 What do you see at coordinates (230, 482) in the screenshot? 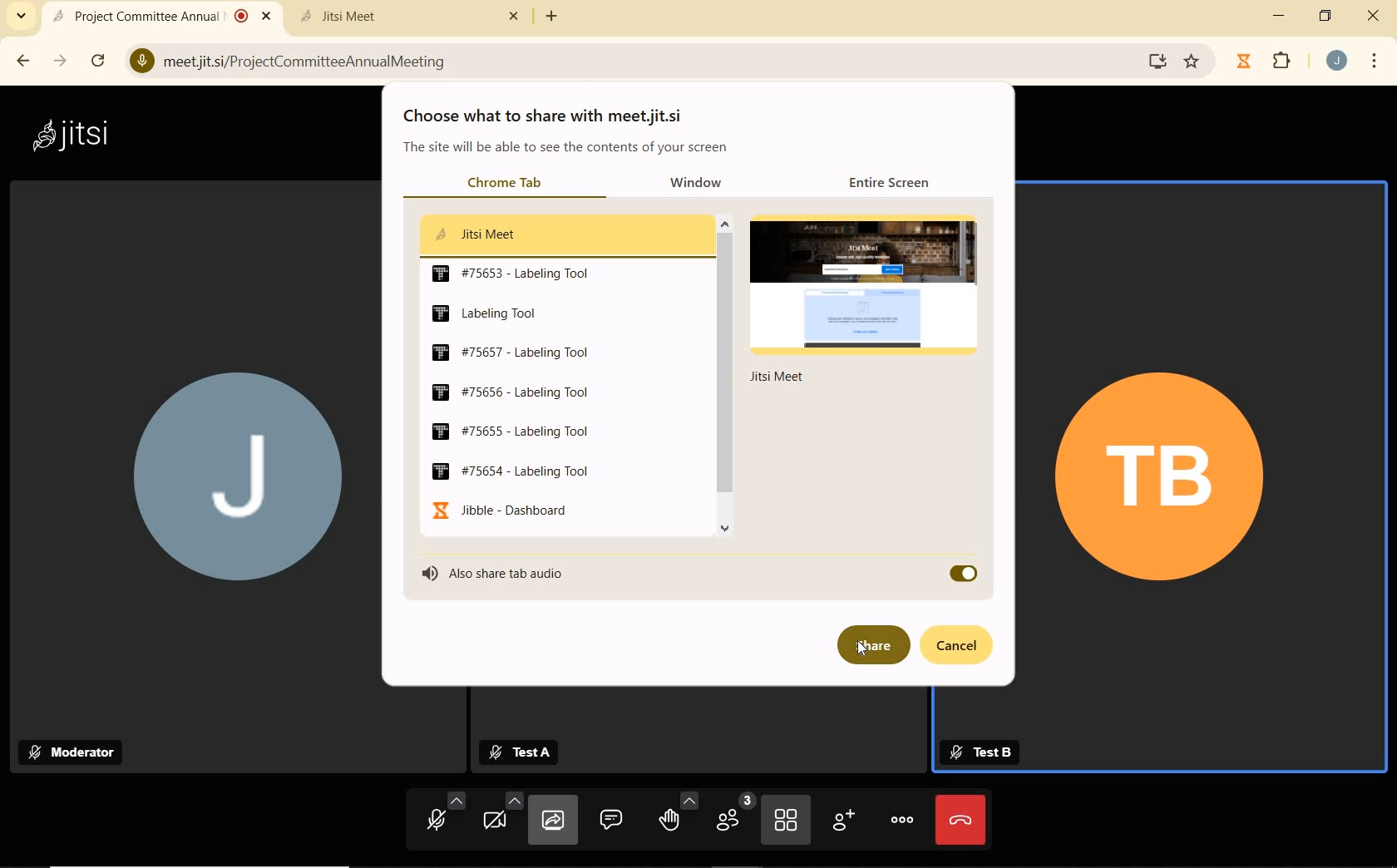
I see `J` at bounding box center [230, 482].